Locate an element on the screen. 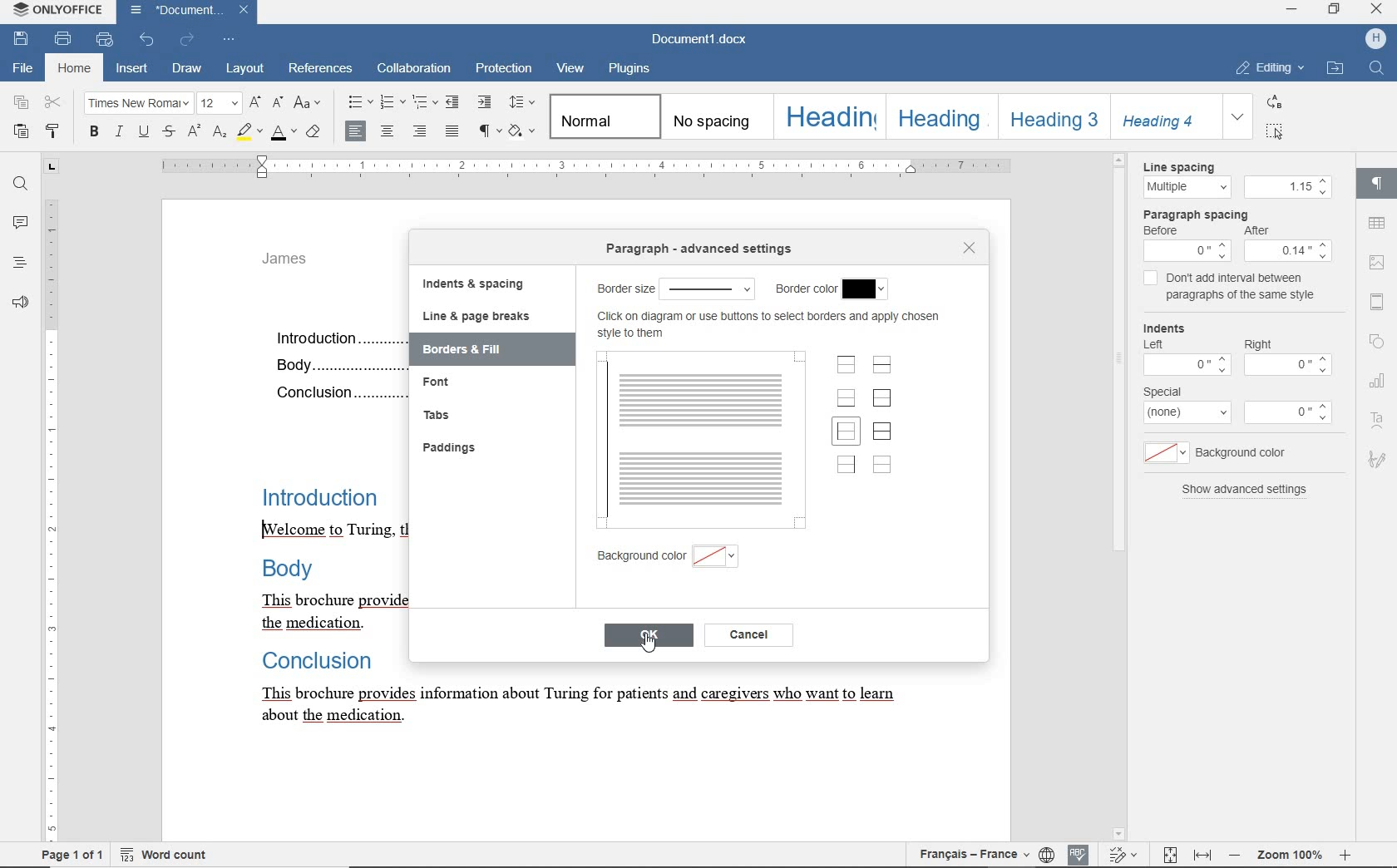  show advanced settings is located at coordinates (1246, 491).